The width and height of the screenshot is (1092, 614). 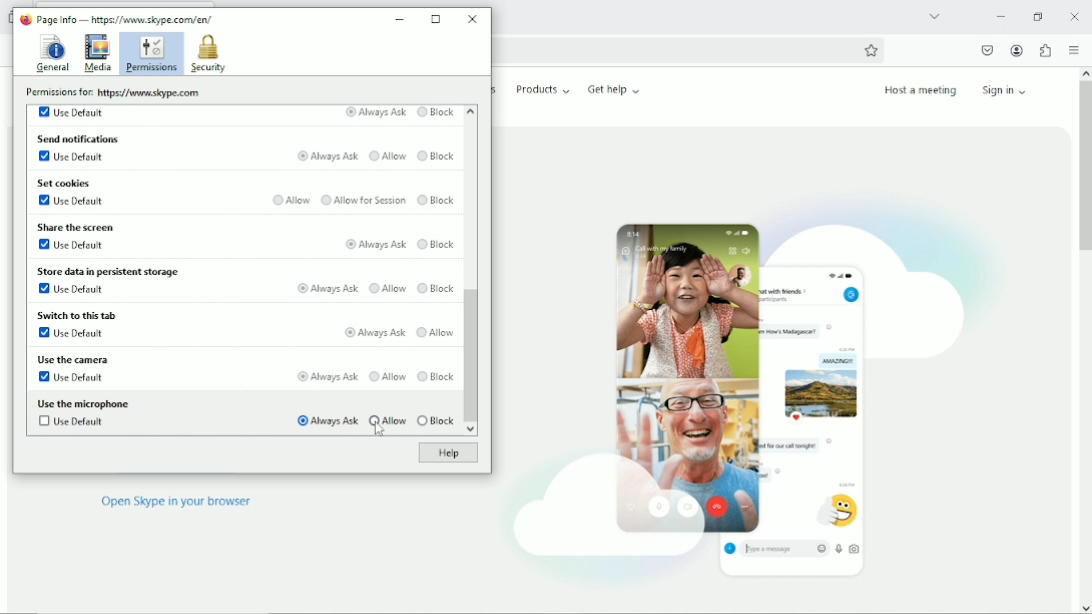 I want to click on General, so click(x=51, y=54).